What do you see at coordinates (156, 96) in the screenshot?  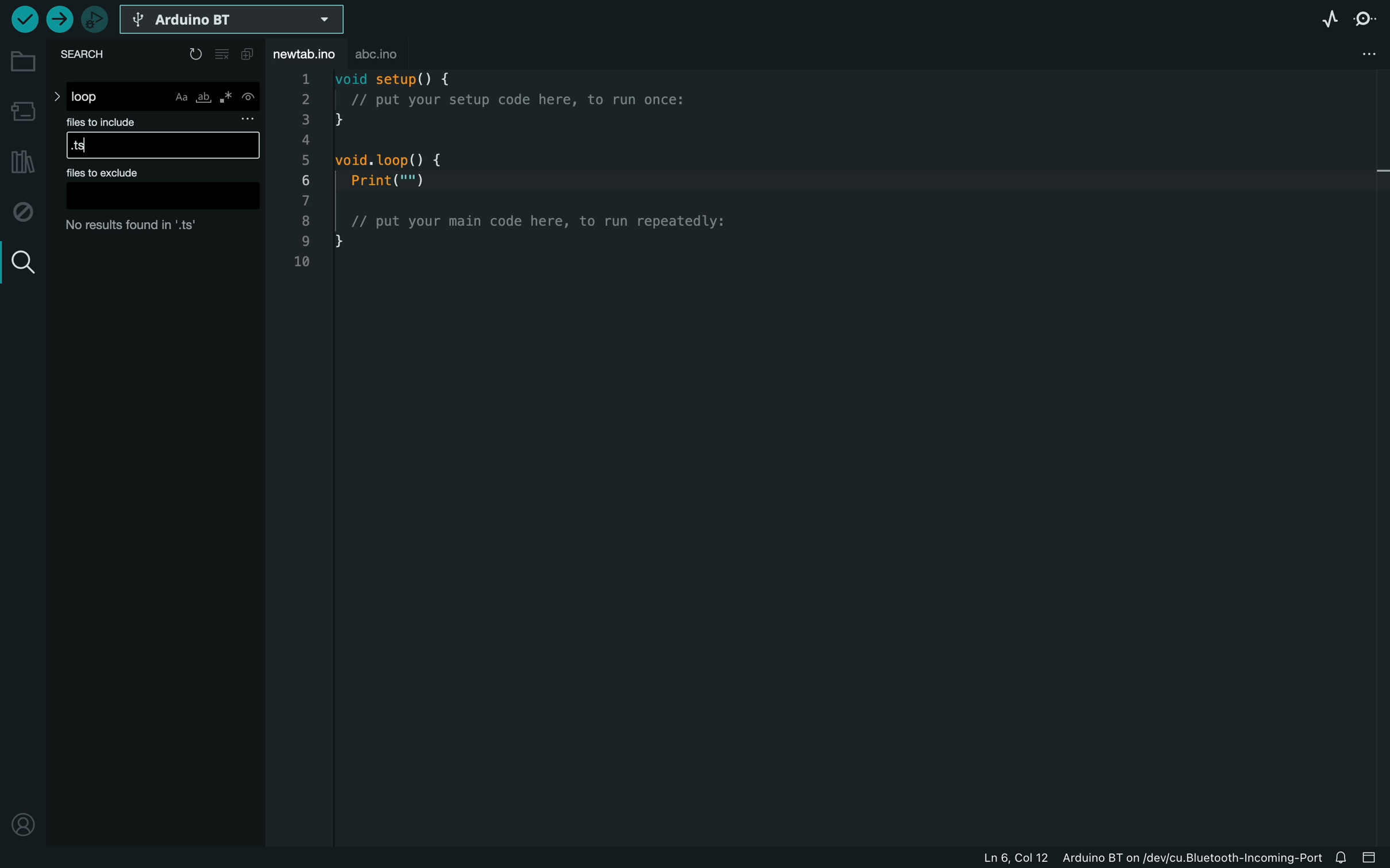 I see `loop` at bounding box center [156, 96].